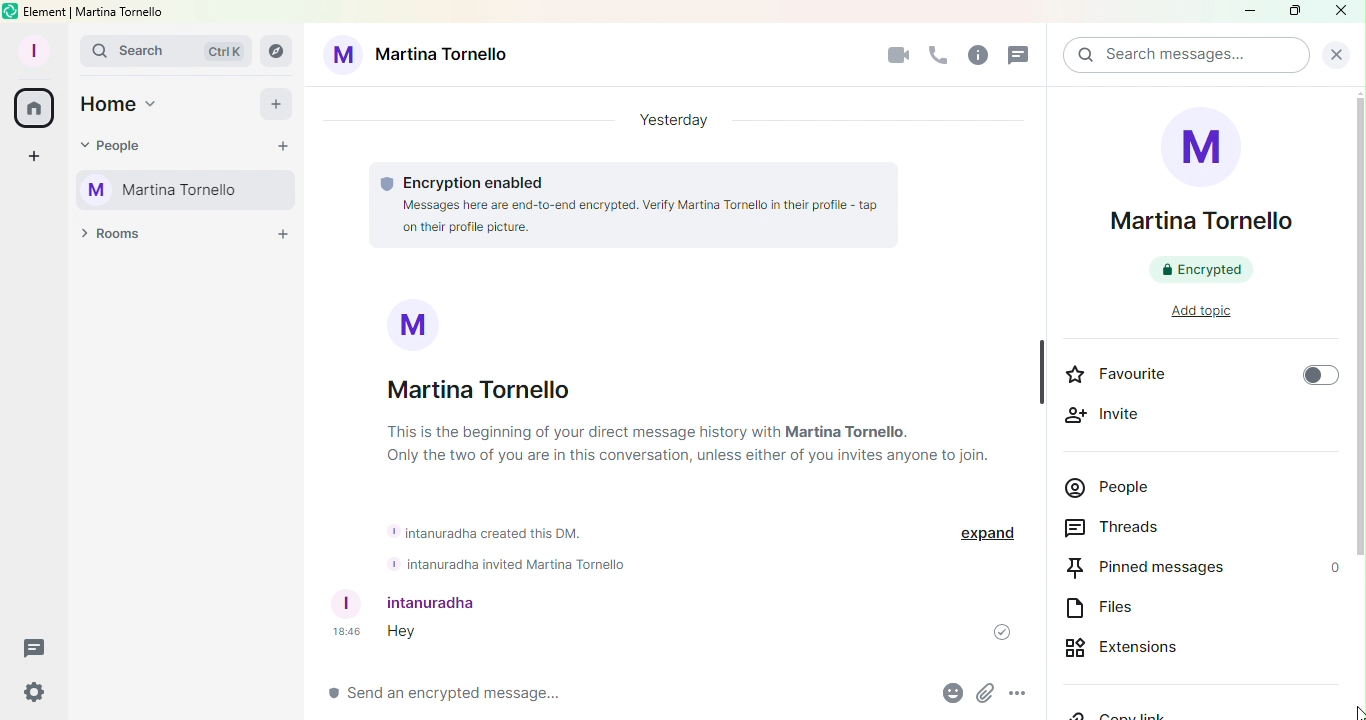 This screenshot has height=720, width=1366. Describe the element at coordinates (31, 159) in the screenshot. I see `Create a space` at that location.